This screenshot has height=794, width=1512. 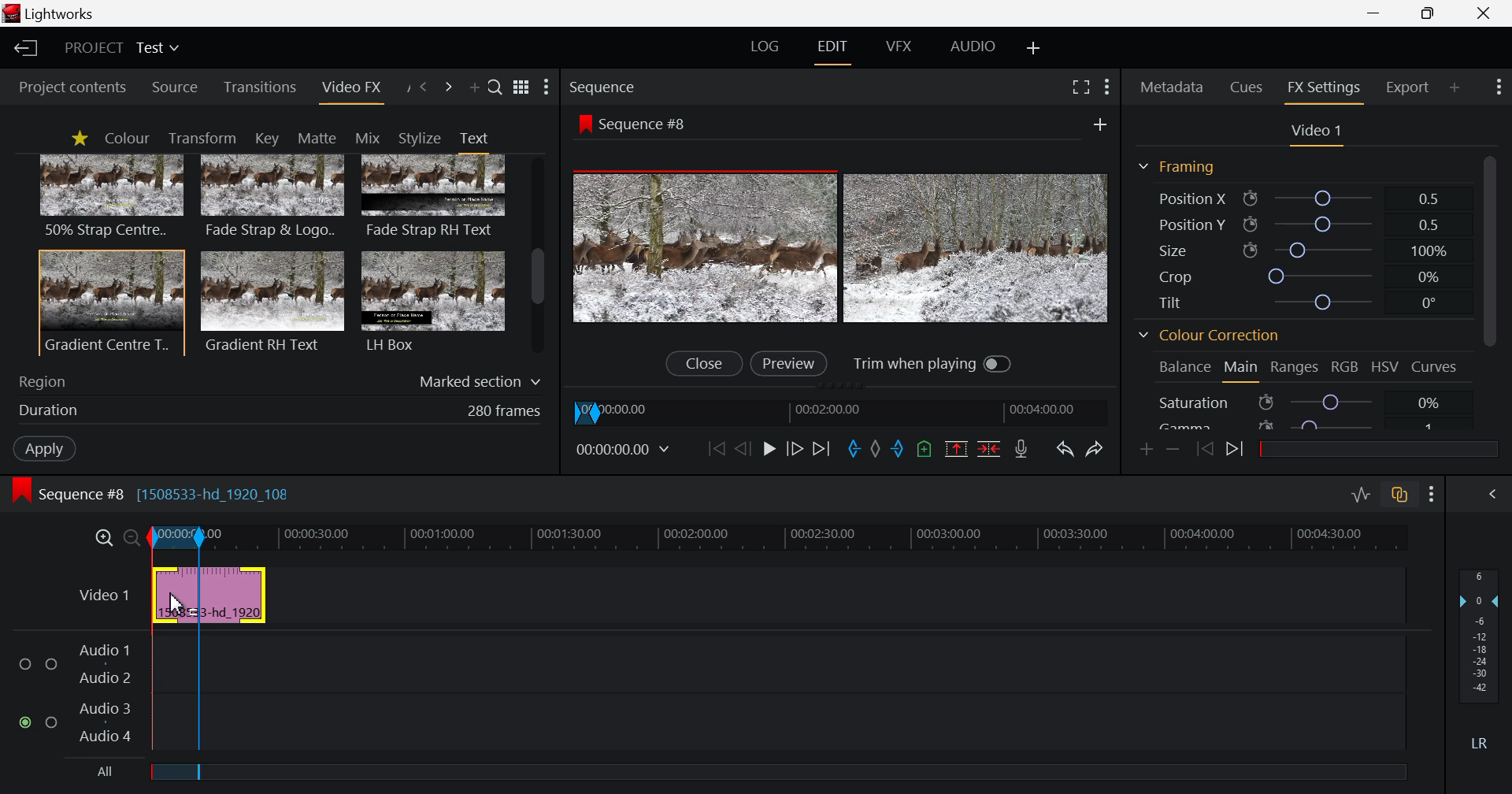 I want to click on Mix, so click(x=372, y=137).